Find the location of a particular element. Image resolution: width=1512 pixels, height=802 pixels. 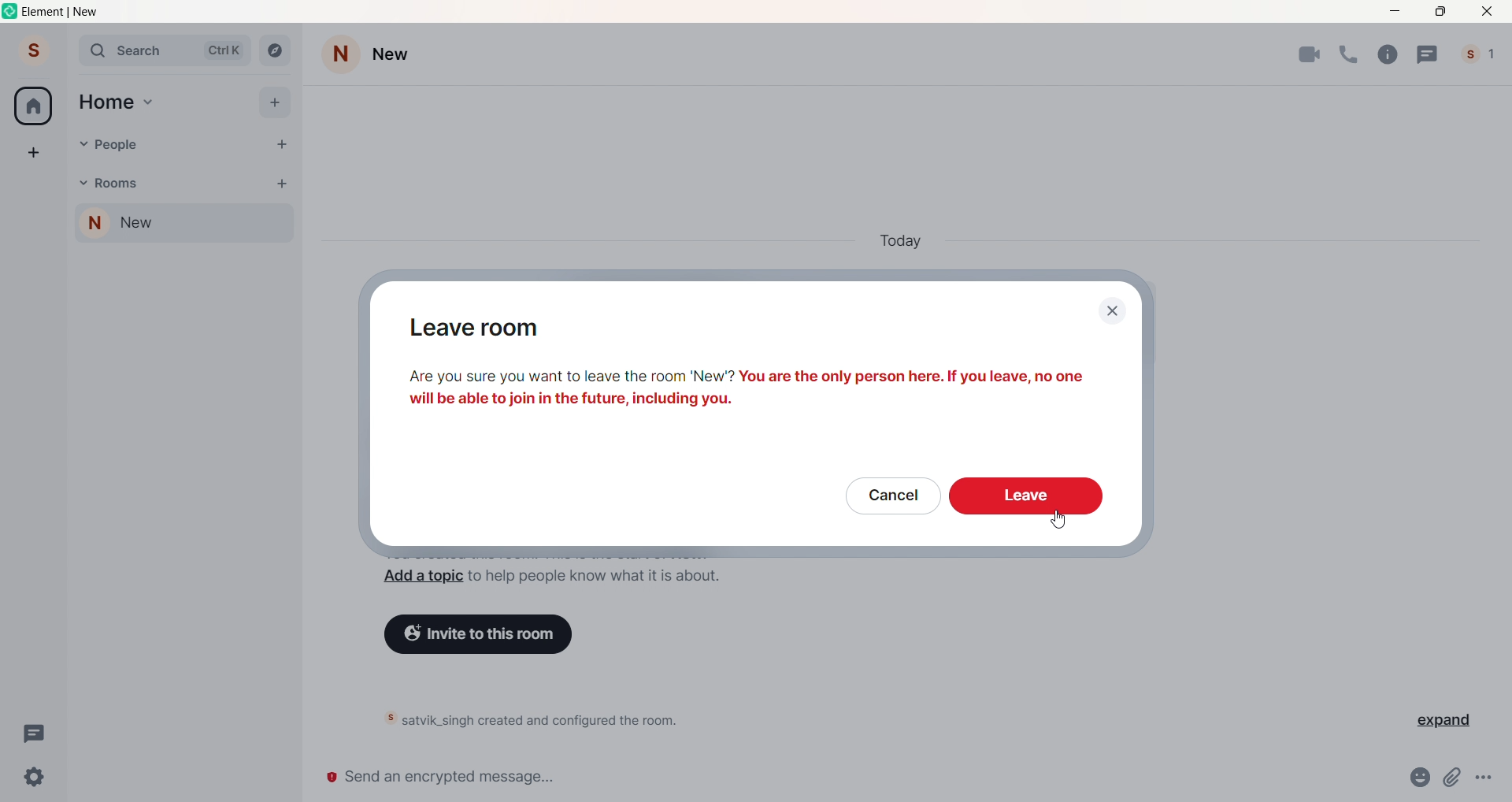

Add is located at coordinates (275, 104).